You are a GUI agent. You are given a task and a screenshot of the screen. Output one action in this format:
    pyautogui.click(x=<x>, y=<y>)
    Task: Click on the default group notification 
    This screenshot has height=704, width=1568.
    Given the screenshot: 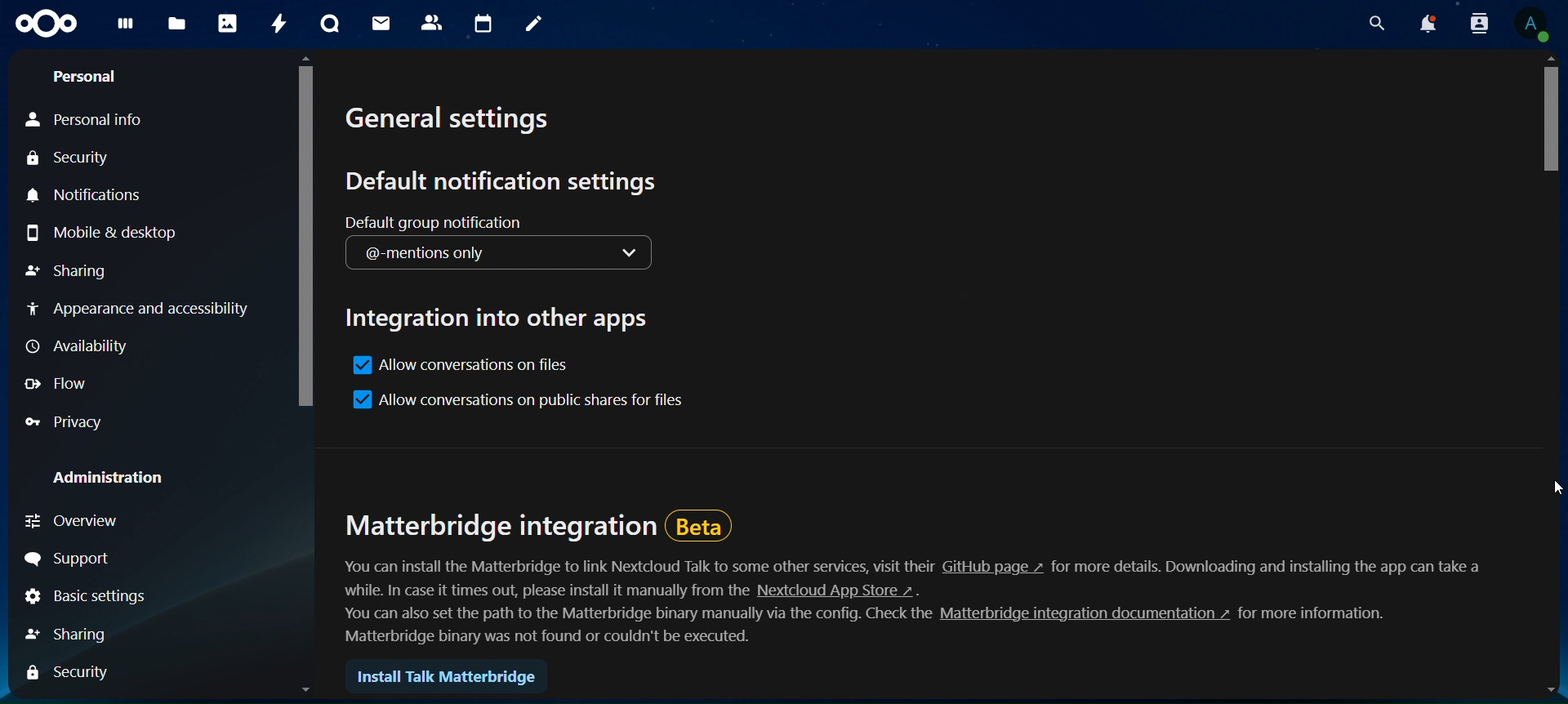 What is the action you would take?
    pyautogui.click(x=437, y=222)
    